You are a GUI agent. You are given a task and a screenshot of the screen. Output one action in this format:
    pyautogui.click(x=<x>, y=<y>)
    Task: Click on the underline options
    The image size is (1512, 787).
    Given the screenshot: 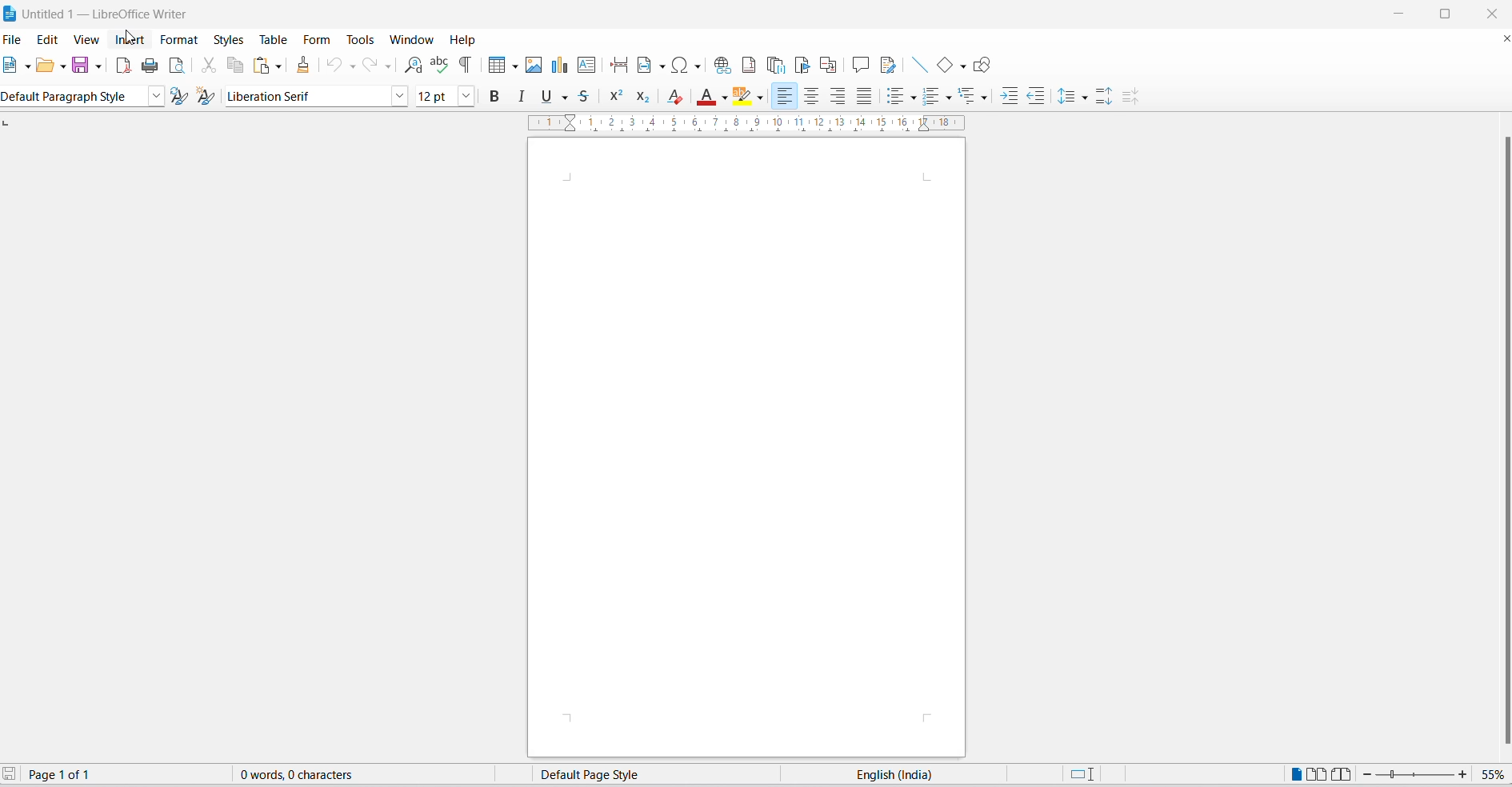 What is the action you would take?
    pyautogui.click(x=565, y=98)
    